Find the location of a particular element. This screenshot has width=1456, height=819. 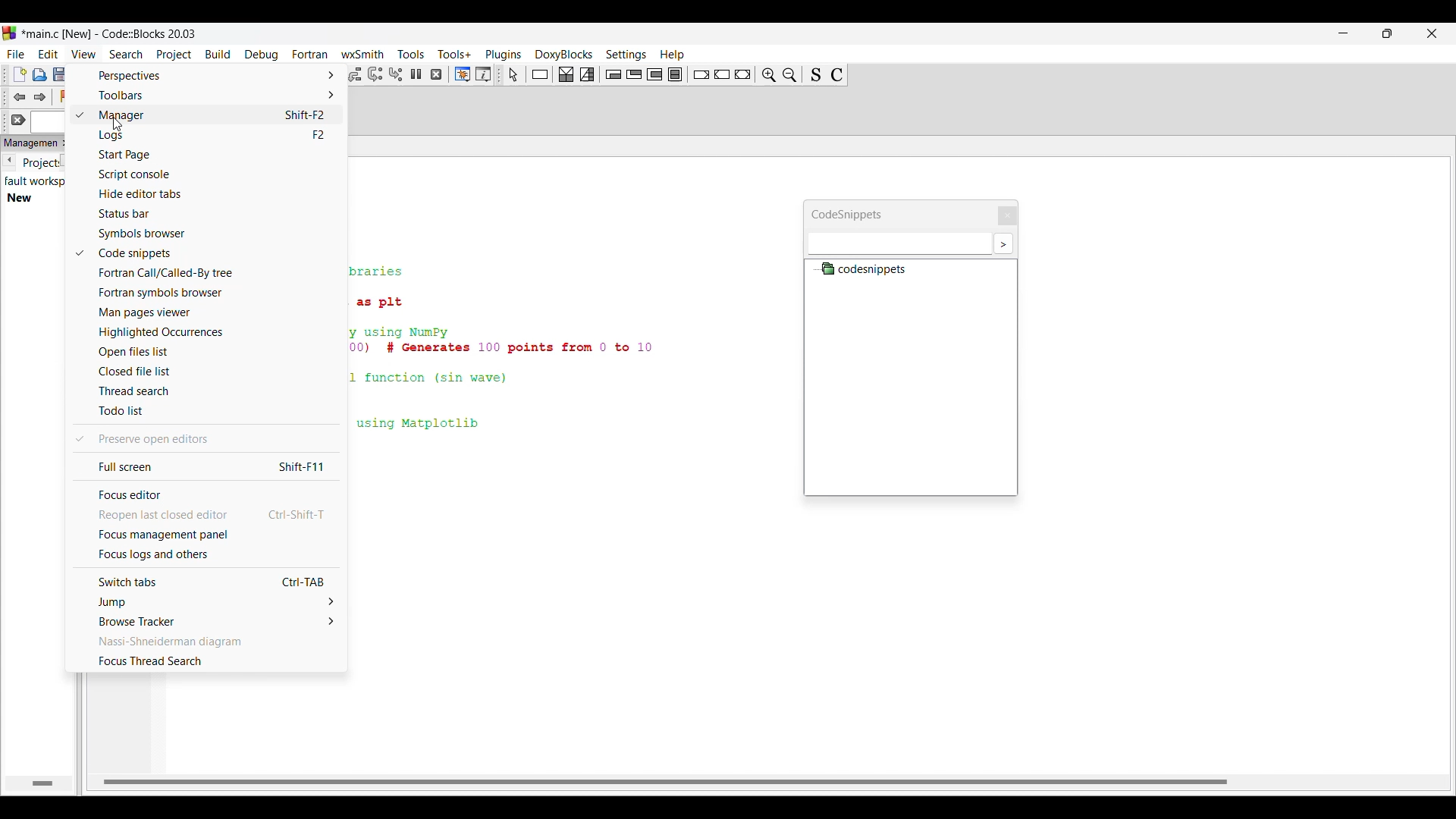

Various info is located at coordinates (483, 74).